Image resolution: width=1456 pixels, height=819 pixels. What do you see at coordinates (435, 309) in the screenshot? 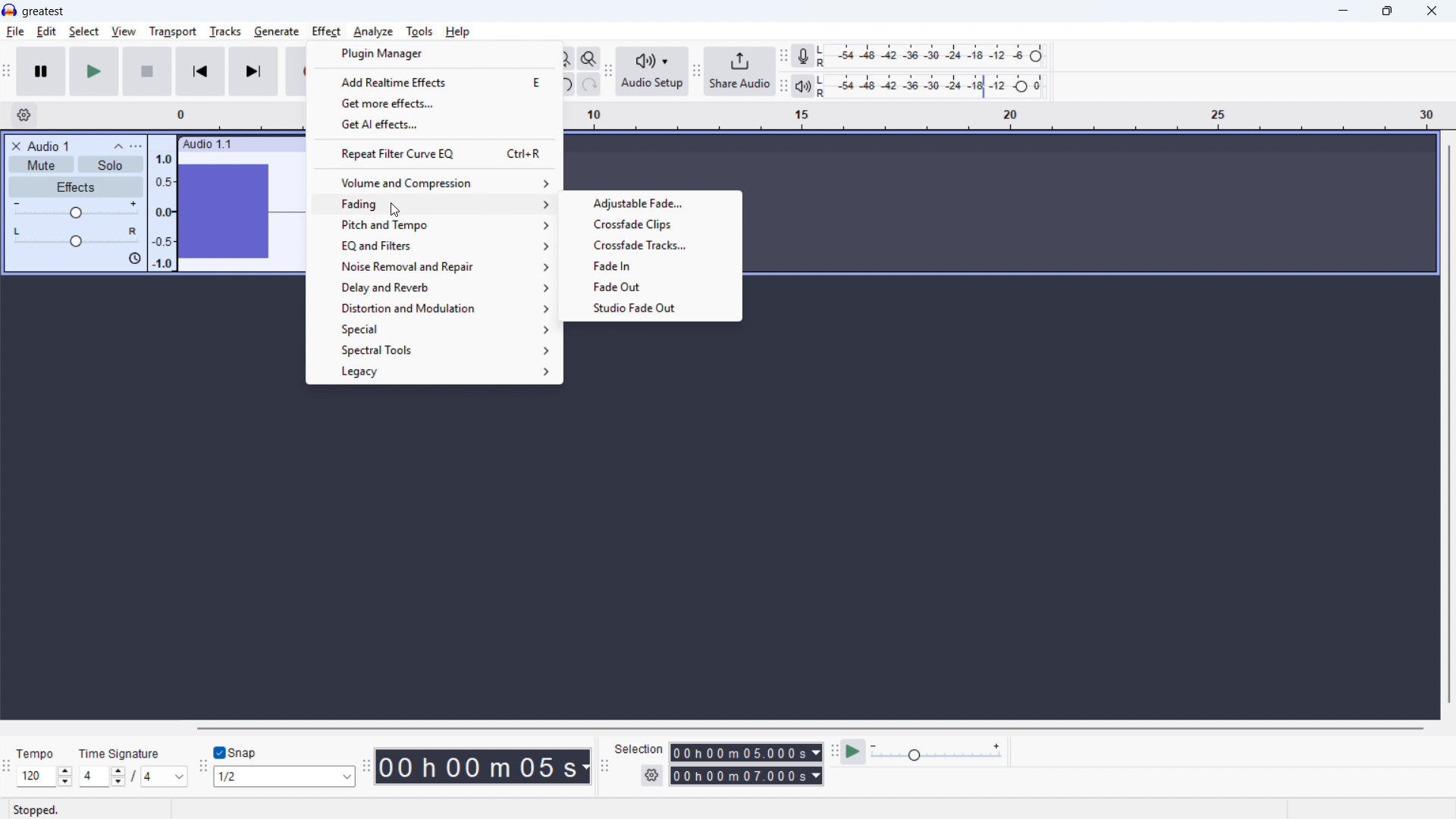
I see `Distortion and modulation ` at bounding box center [435, 309].